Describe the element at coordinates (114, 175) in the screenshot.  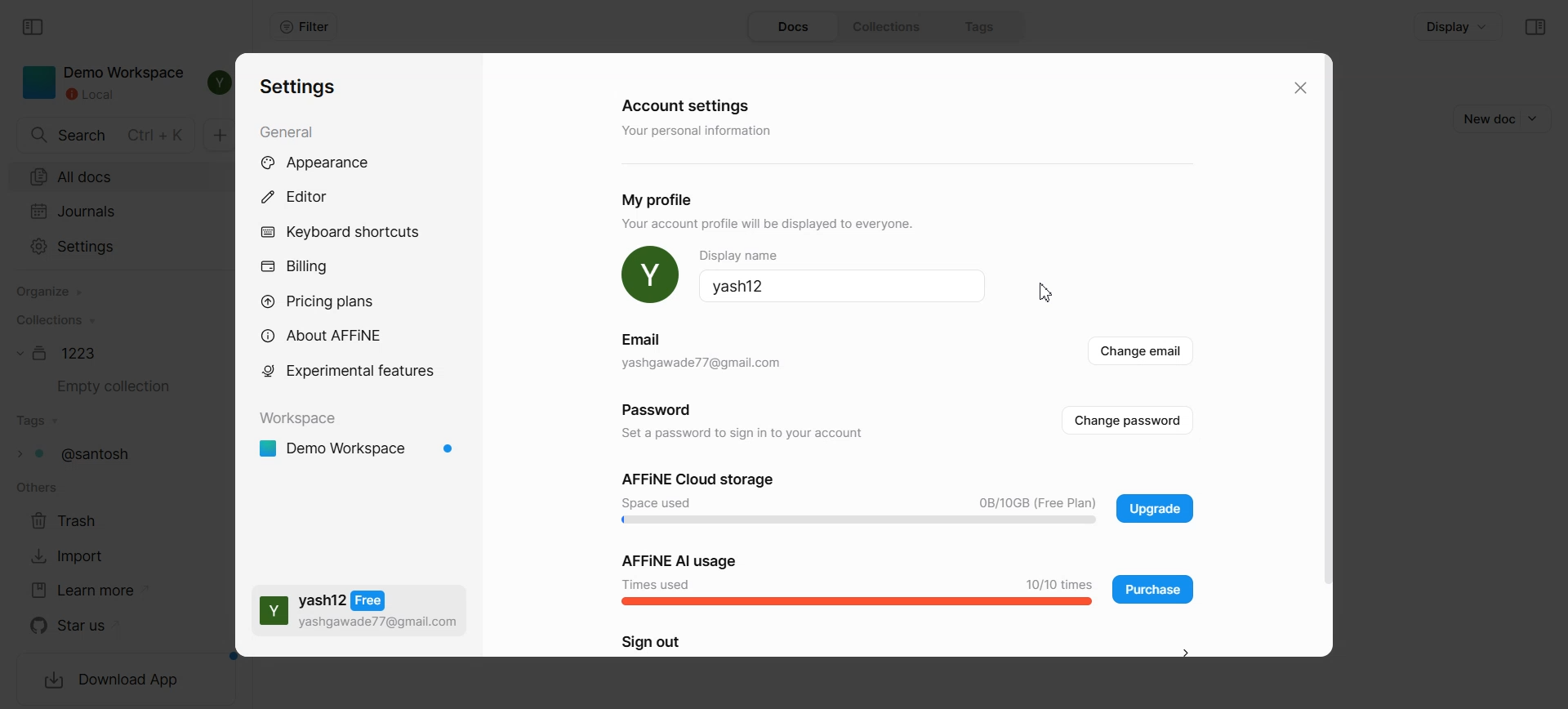
I see `All docs` at that location.